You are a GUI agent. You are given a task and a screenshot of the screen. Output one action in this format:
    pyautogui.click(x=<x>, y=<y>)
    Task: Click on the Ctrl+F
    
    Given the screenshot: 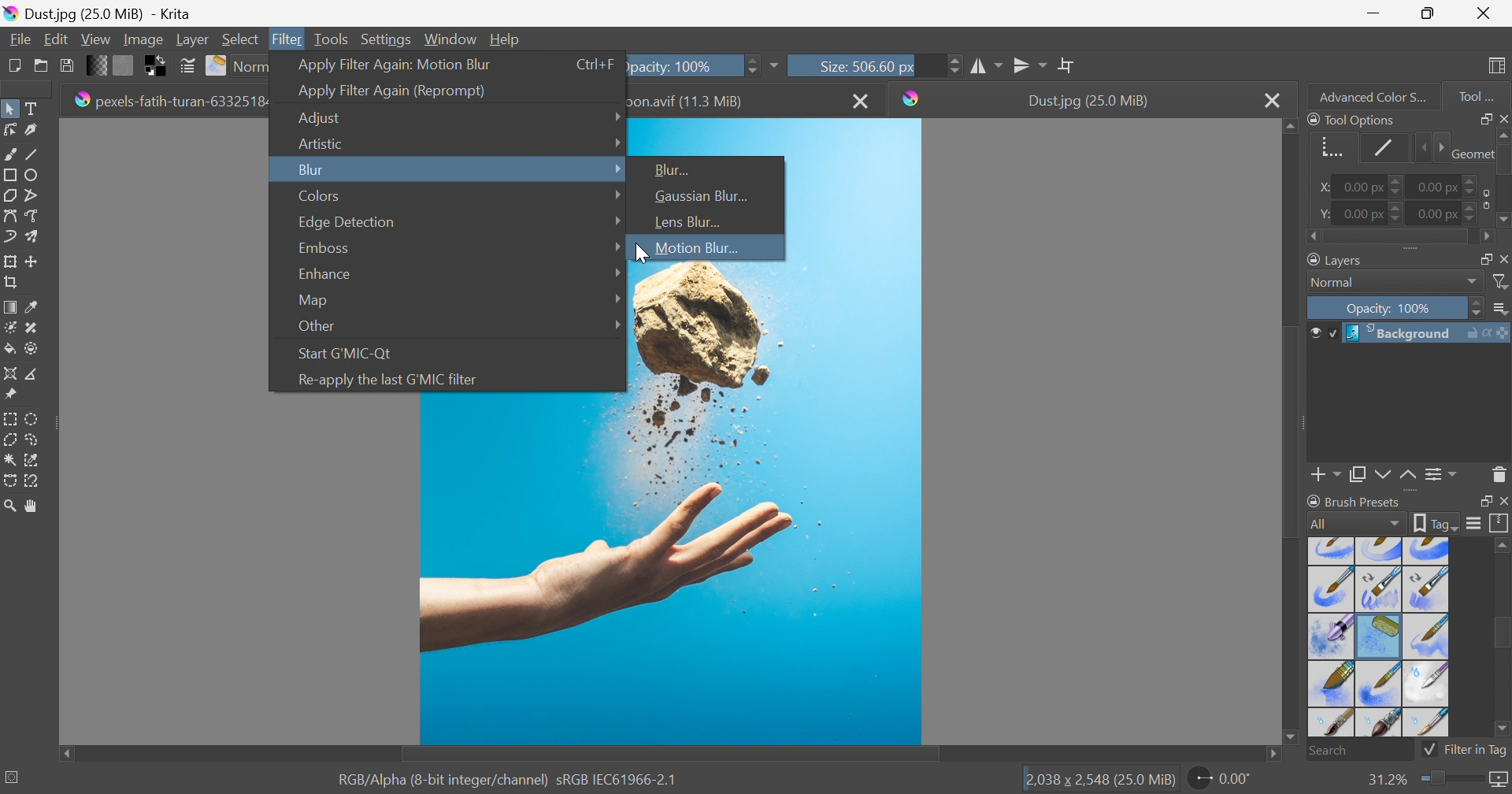 What is the action you would take?
    pyautogui.click(x=596, y=64)
    